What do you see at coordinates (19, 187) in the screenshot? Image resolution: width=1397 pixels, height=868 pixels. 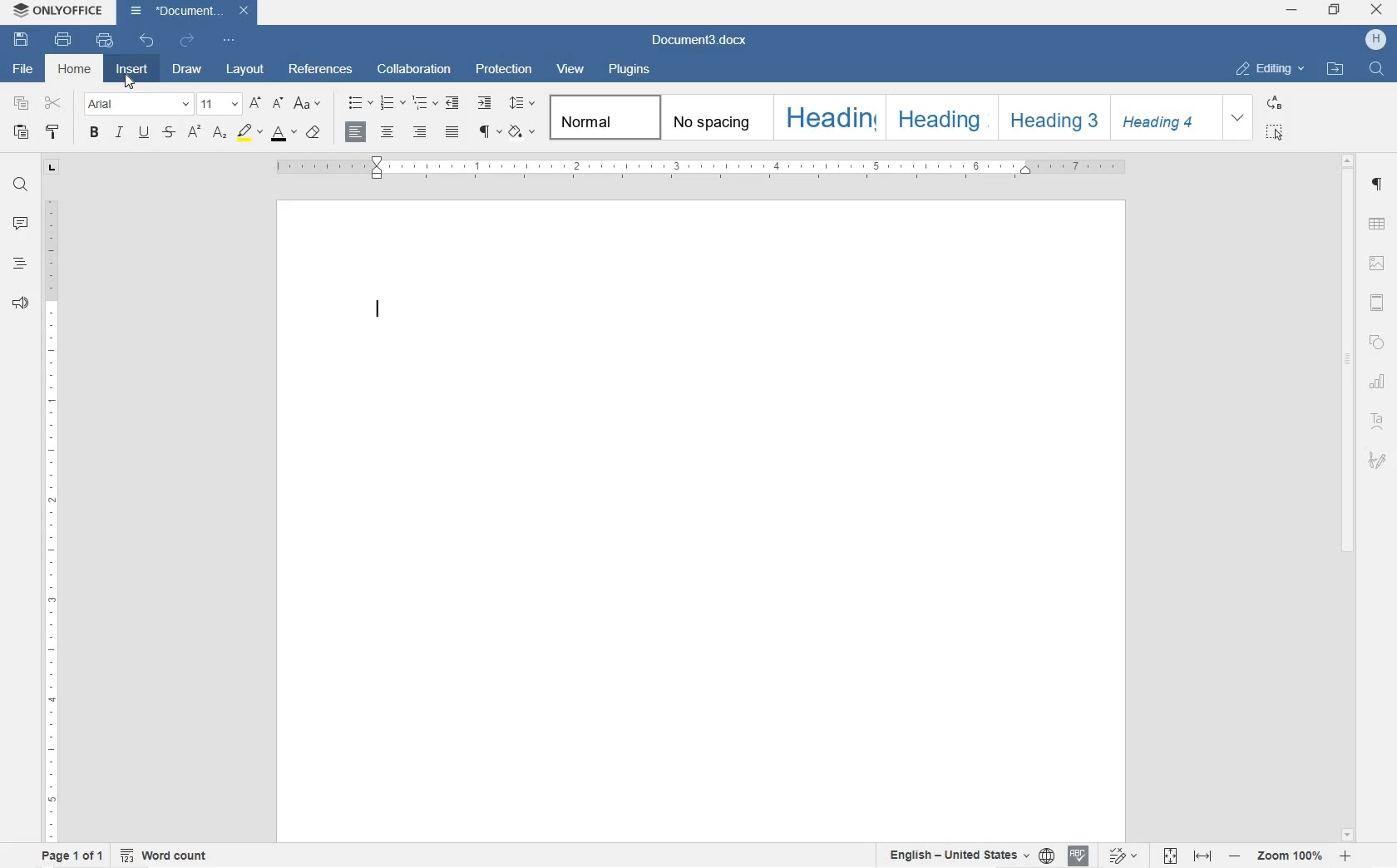 I see `FIND` at bounding box center [19, 187].